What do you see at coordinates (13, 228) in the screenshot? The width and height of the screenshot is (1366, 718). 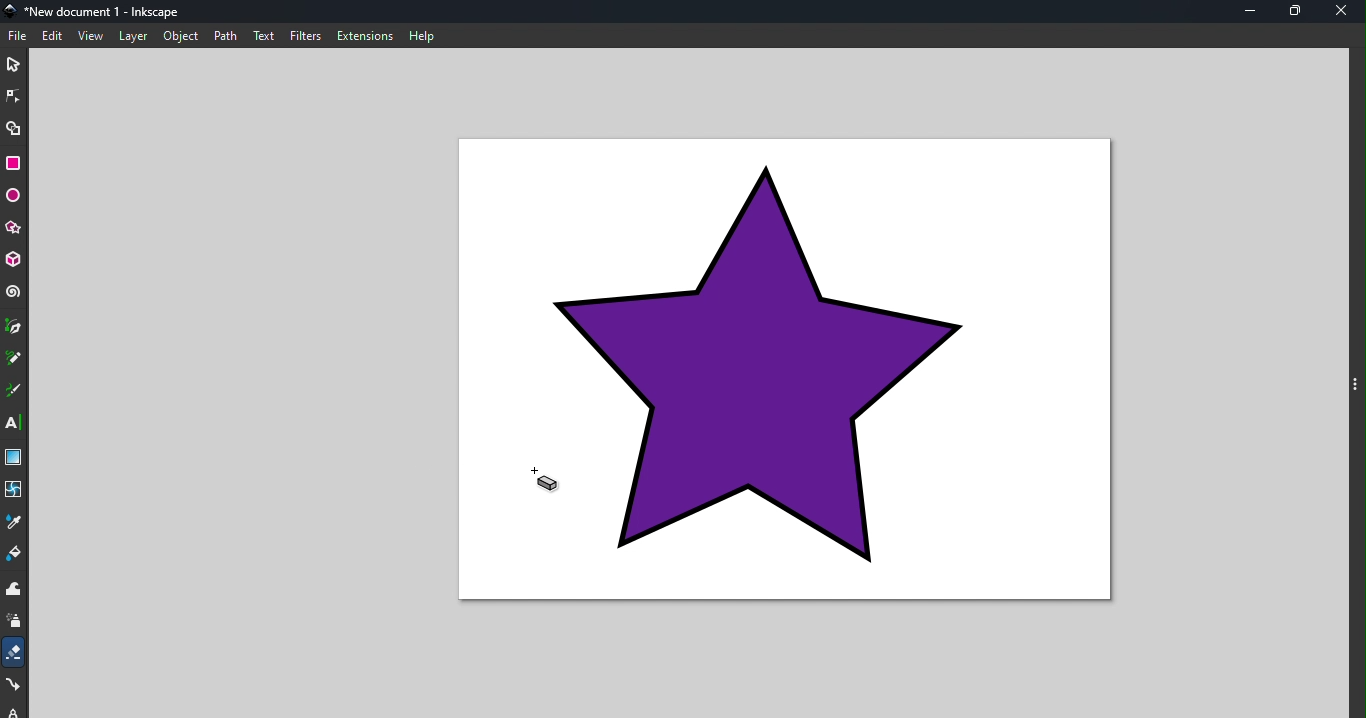 I see `star/polygon` at bounding box center [13, 228].